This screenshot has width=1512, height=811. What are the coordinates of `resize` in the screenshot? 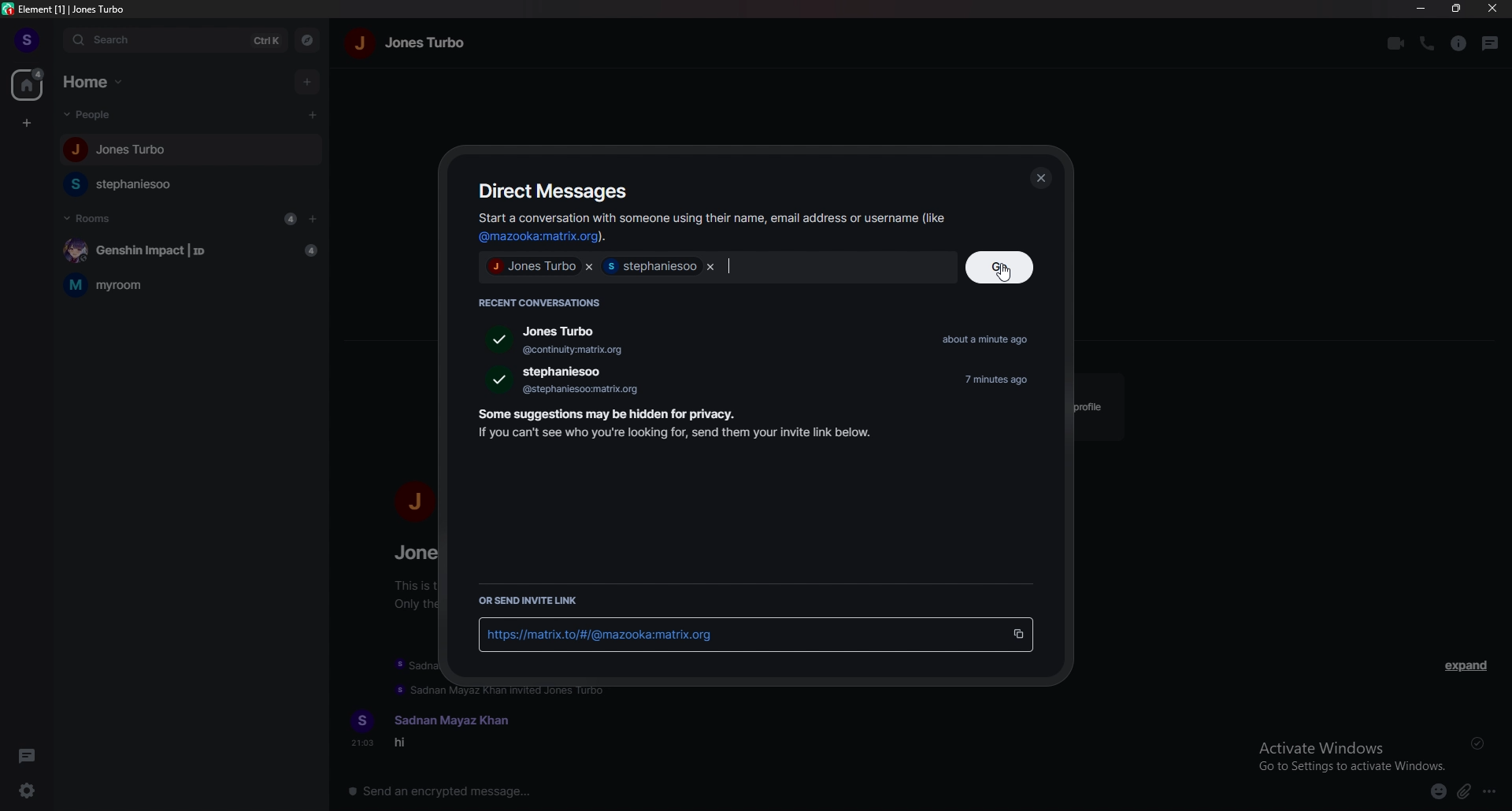 It's located at (1455, 8).